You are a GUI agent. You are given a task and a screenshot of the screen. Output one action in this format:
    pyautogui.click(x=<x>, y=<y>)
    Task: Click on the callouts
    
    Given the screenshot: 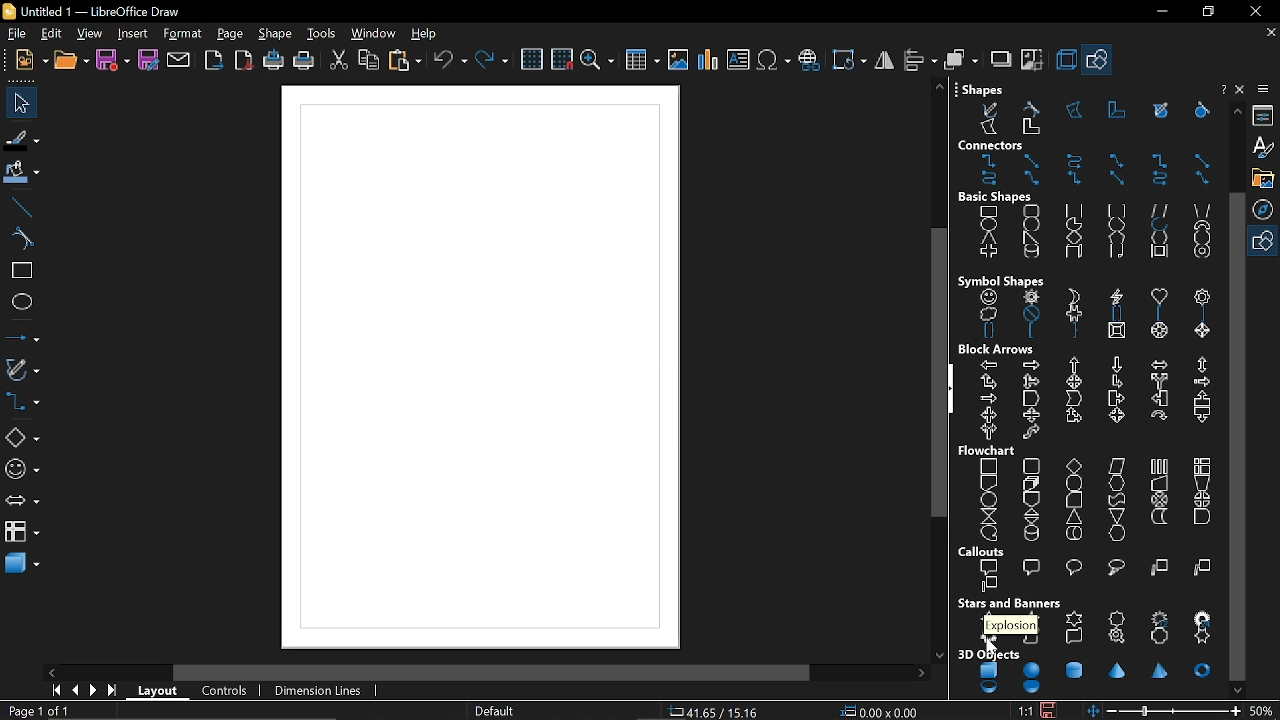 What is the action you would take?
    pyautogui.click(x=1090, y=569)
    